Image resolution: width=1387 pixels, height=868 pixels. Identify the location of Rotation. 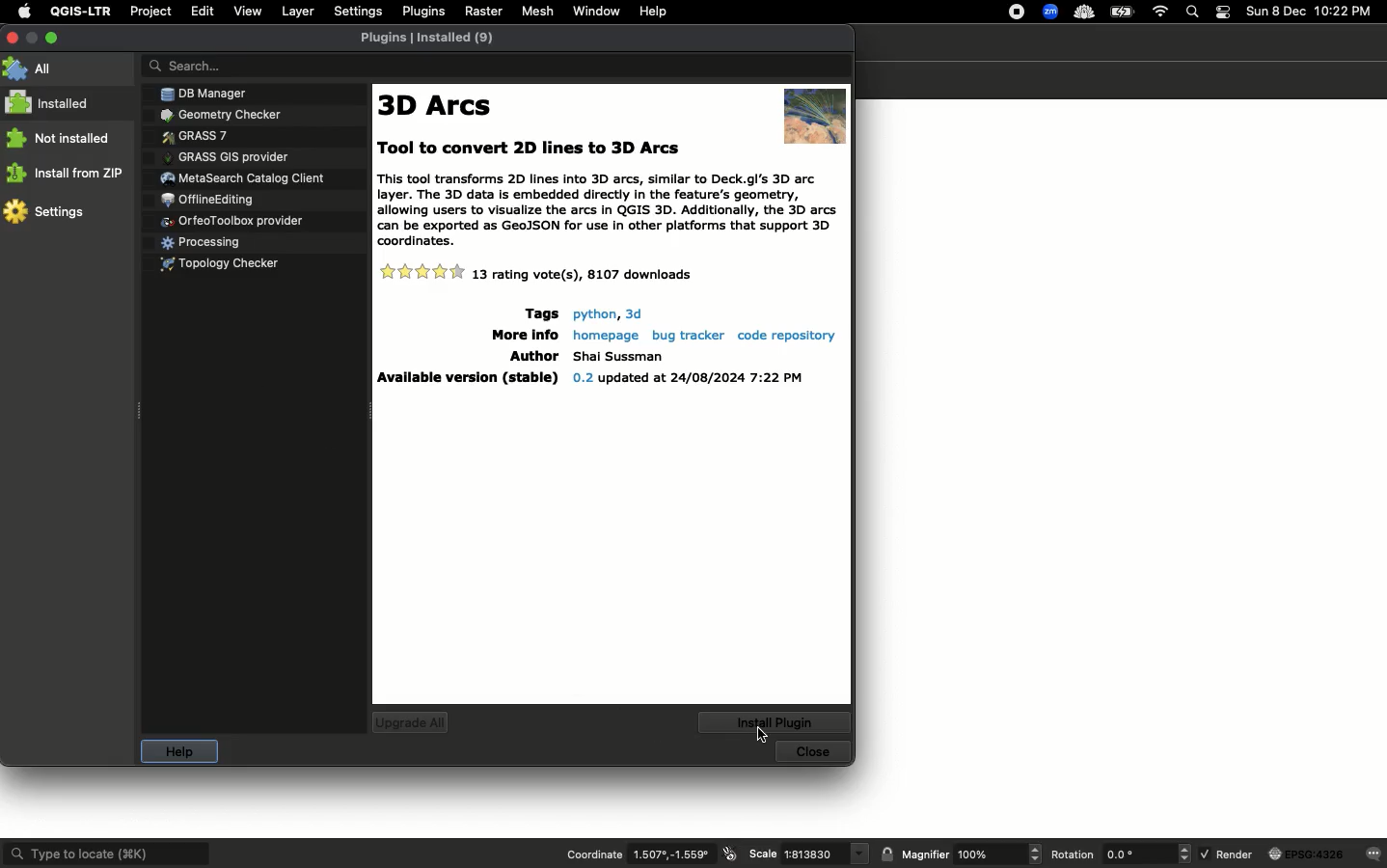
(1146, 854).